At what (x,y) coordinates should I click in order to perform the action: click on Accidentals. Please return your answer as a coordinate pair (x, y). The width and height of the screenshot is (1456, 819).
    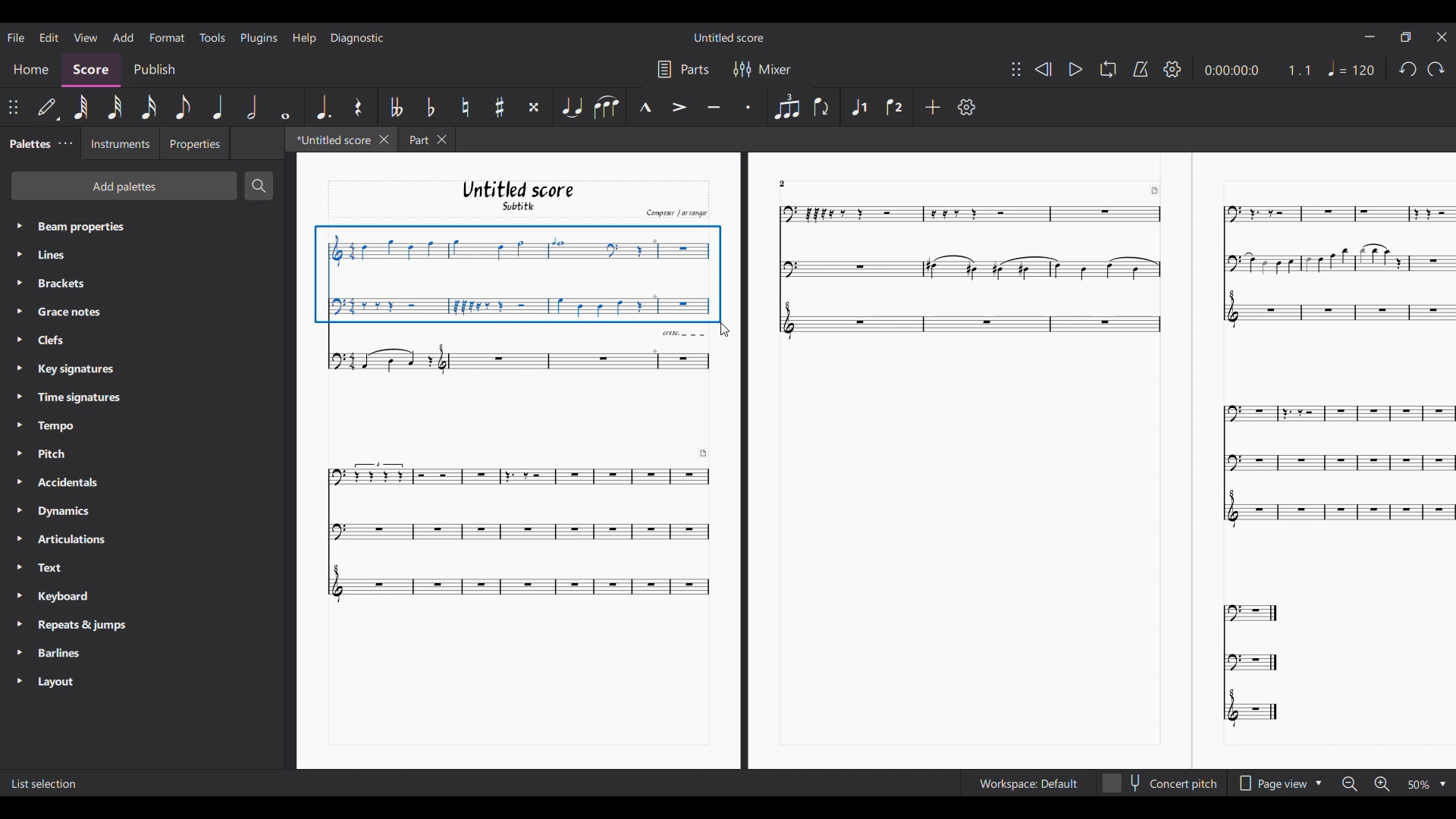
    Looking at the image, I should click on (71, 482).